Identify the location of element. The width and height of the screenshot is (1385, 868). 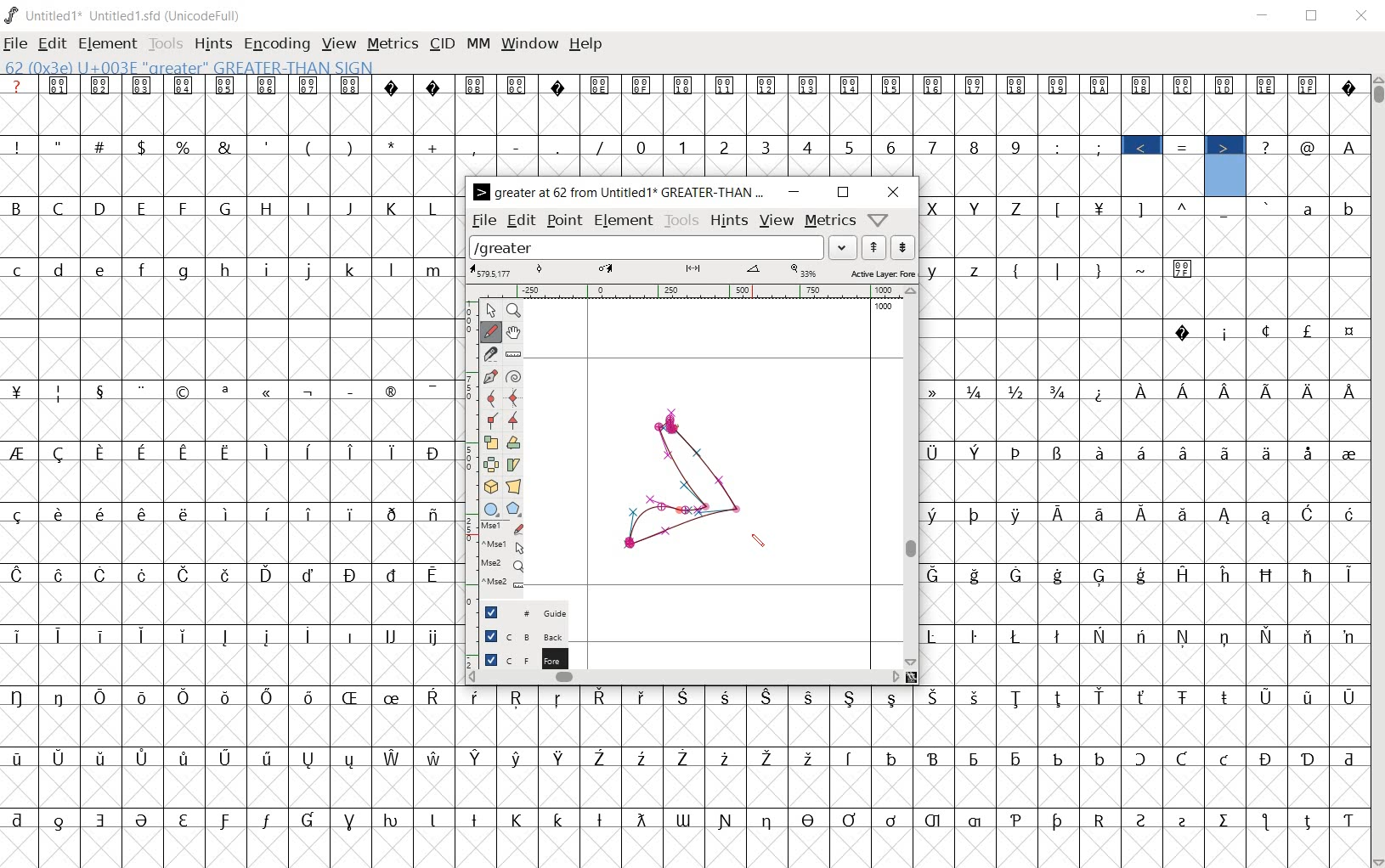
(625, 222).